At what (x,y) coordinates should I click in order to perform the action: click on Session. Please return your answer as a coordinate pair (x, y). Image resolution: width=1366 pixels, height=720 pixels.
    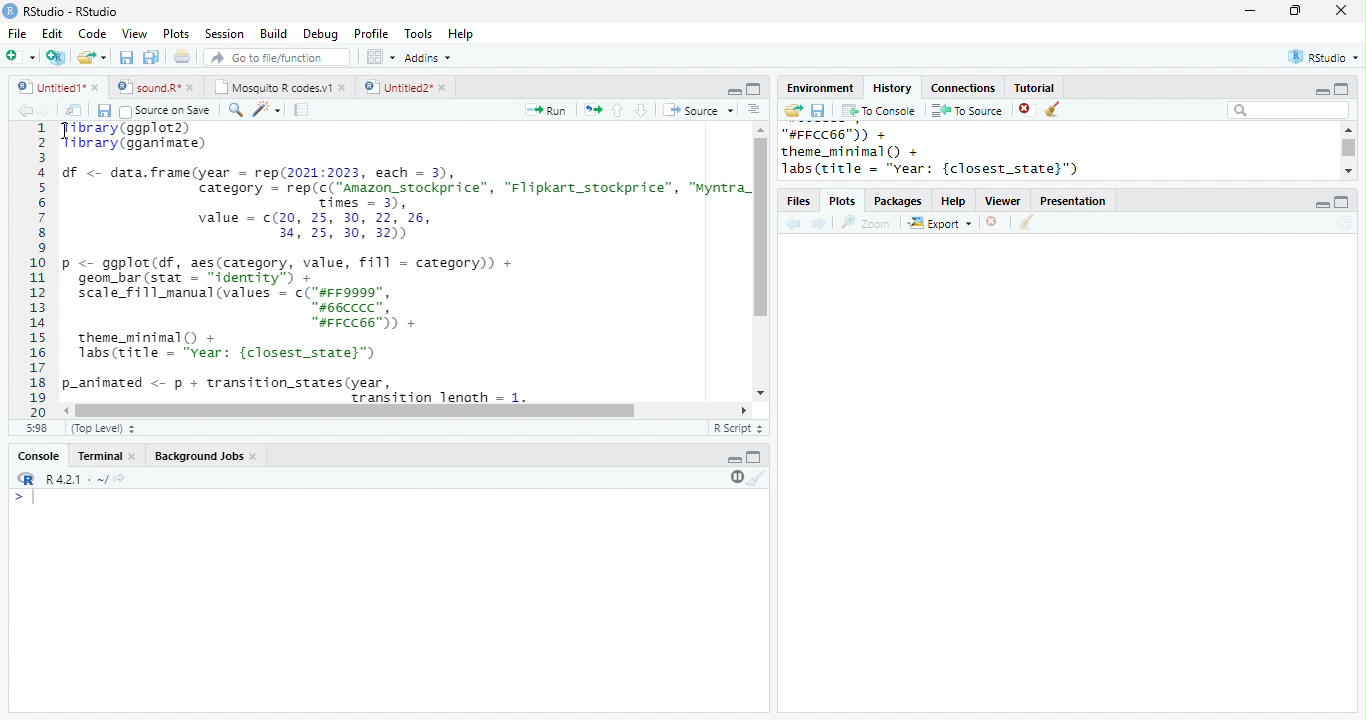
    Looking at the image, I should click on (223, 34).